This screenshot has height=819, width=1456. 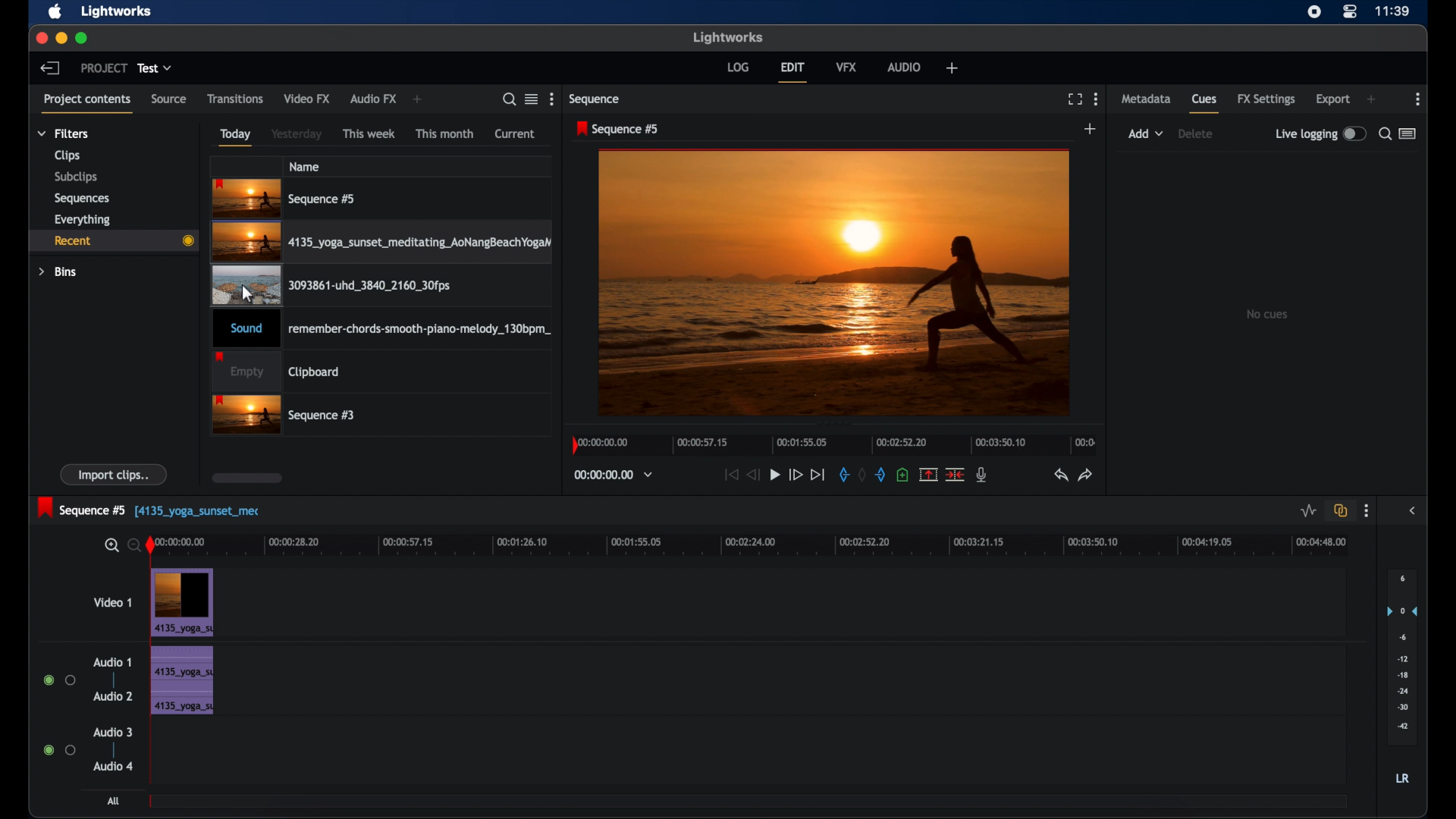 What do you see at coordinates (114, 731) in the screenshot?
I see `audio 3` at bounding box center [114, 731].